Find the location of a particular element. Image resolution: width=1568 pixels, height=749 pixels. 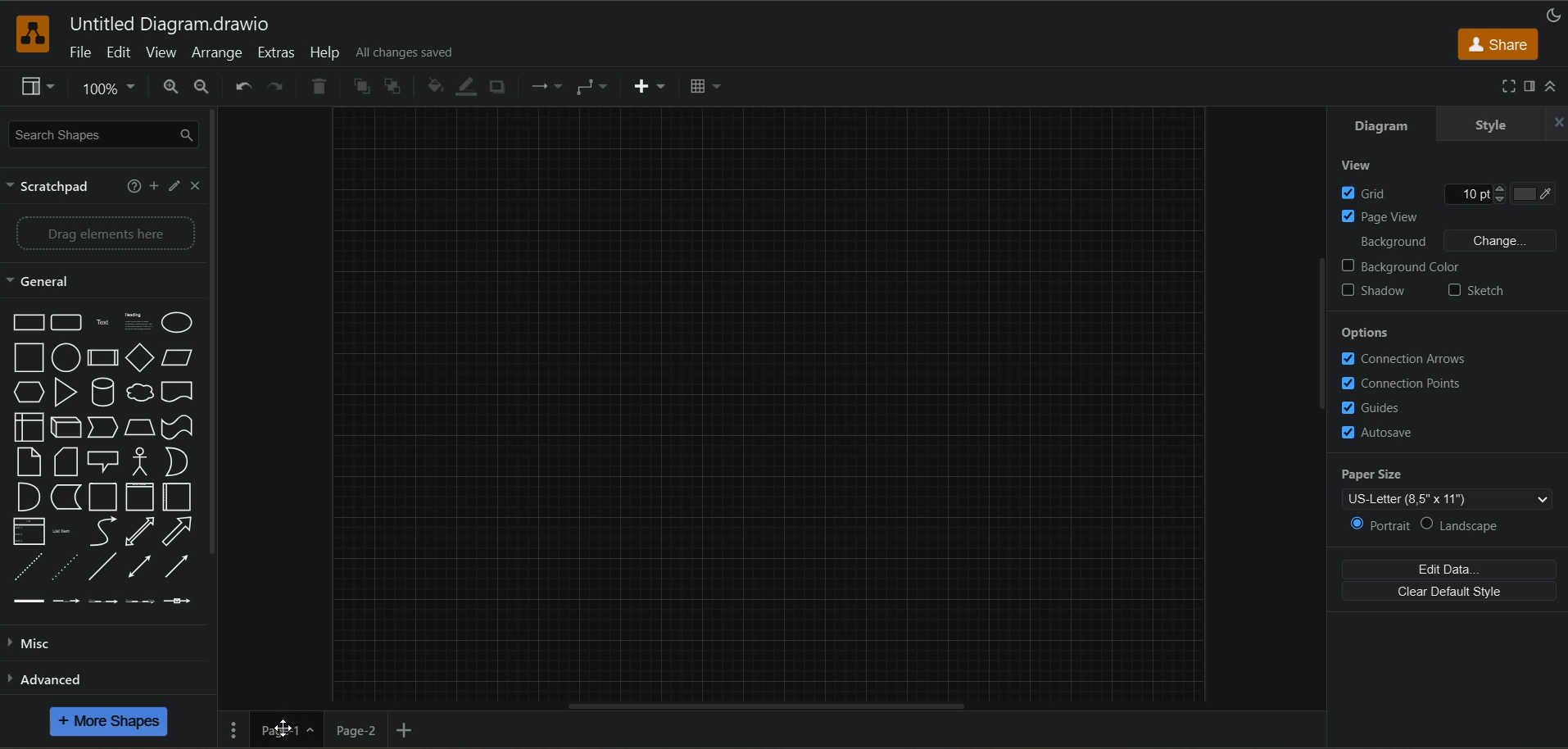

page 2 is located at coordinates (351, 733).